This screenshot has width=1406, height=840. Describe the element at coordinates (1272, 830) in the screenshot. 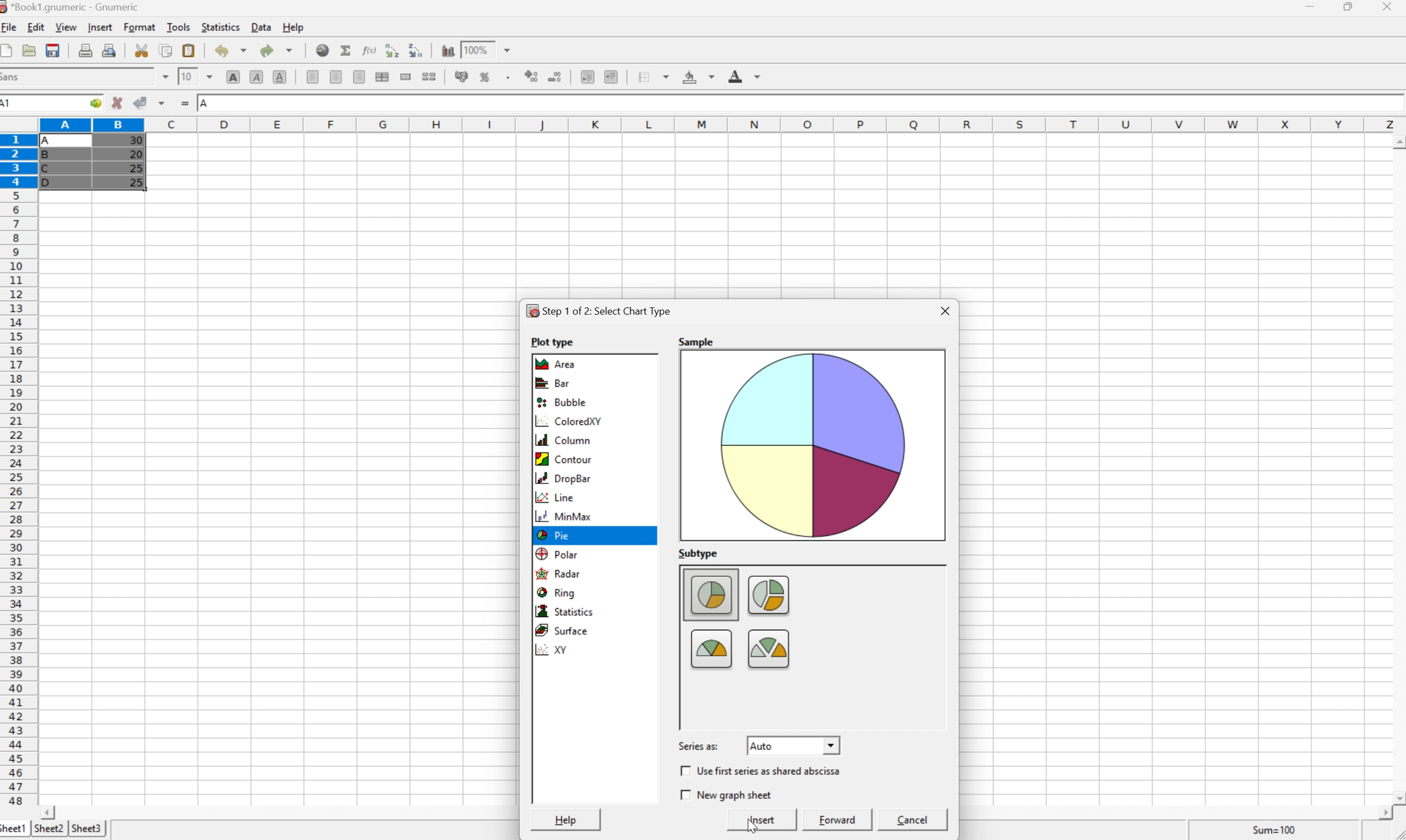

I see `Sum = 0` at that location.